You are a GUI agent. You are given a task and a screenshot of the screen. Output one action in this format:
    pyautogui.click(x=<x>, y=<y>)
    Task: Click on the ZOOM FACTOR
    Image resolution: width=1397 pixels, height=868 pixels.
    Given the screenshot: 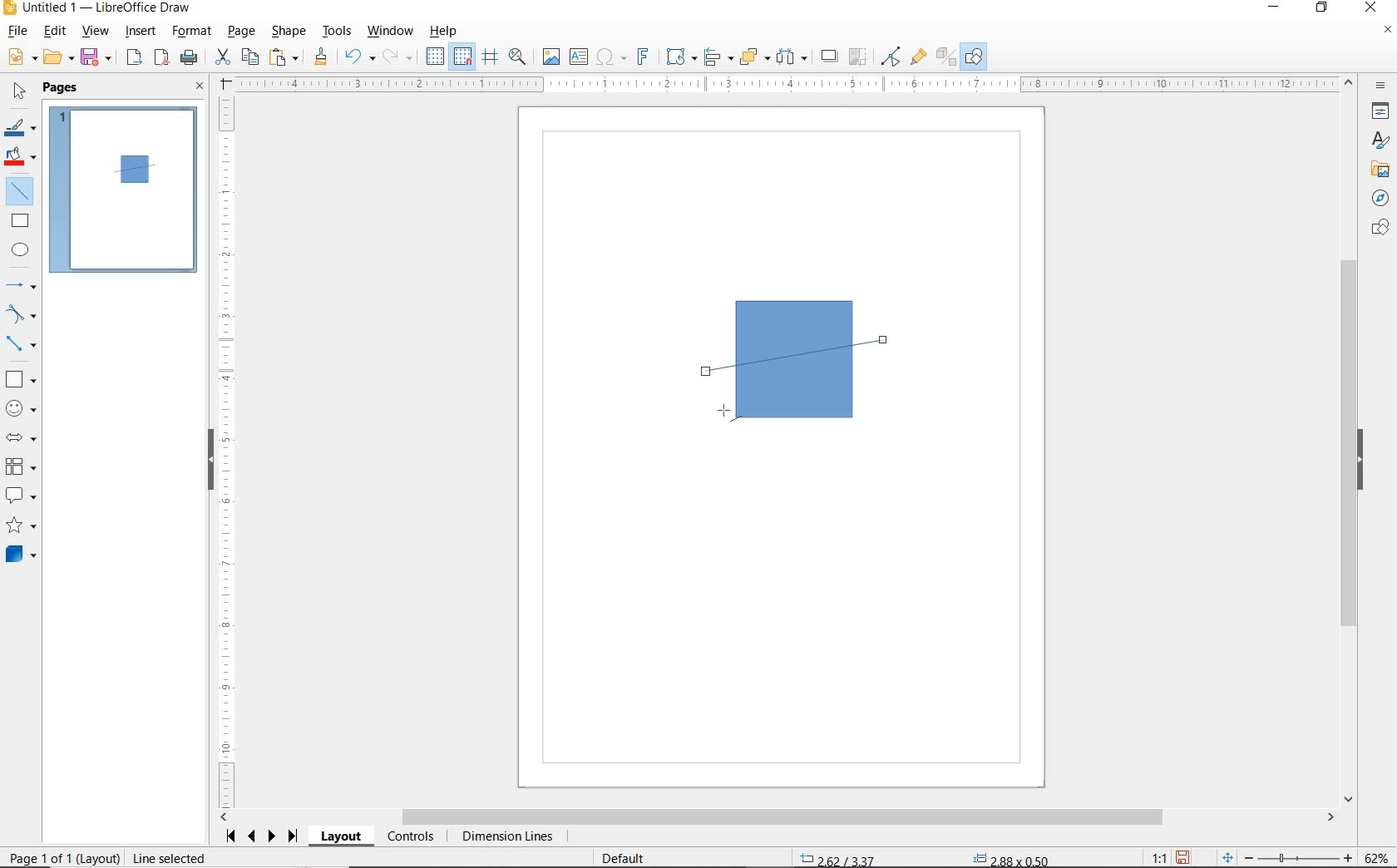 What is the action you would take?
    pyautogui.click(x=1375, y=858)
    